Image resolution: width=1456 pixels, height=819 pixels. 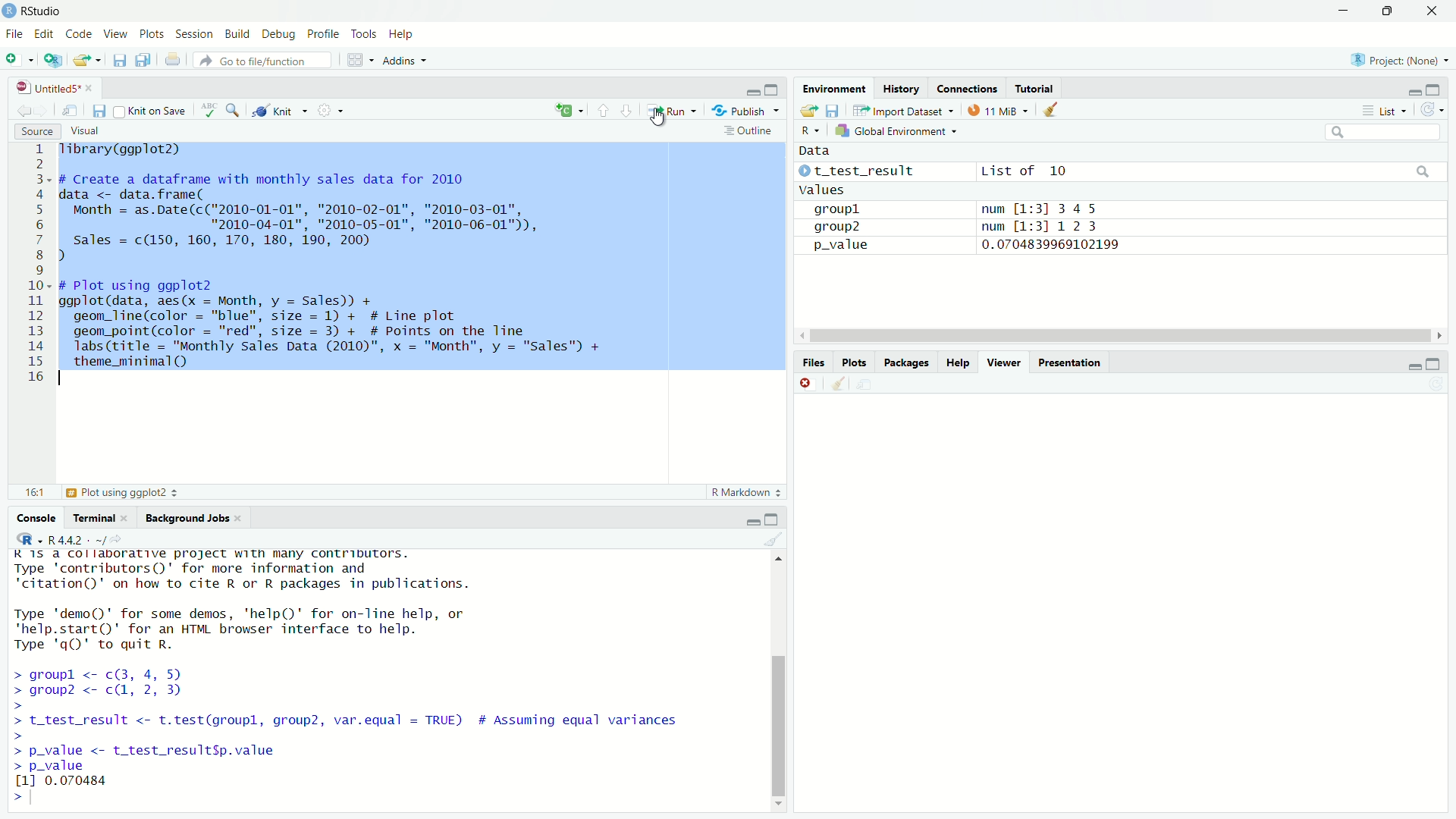 What do you see at coordinates (746, 491) in the screenshot?
I see `R Markdown` at bounding box center [746, 491].